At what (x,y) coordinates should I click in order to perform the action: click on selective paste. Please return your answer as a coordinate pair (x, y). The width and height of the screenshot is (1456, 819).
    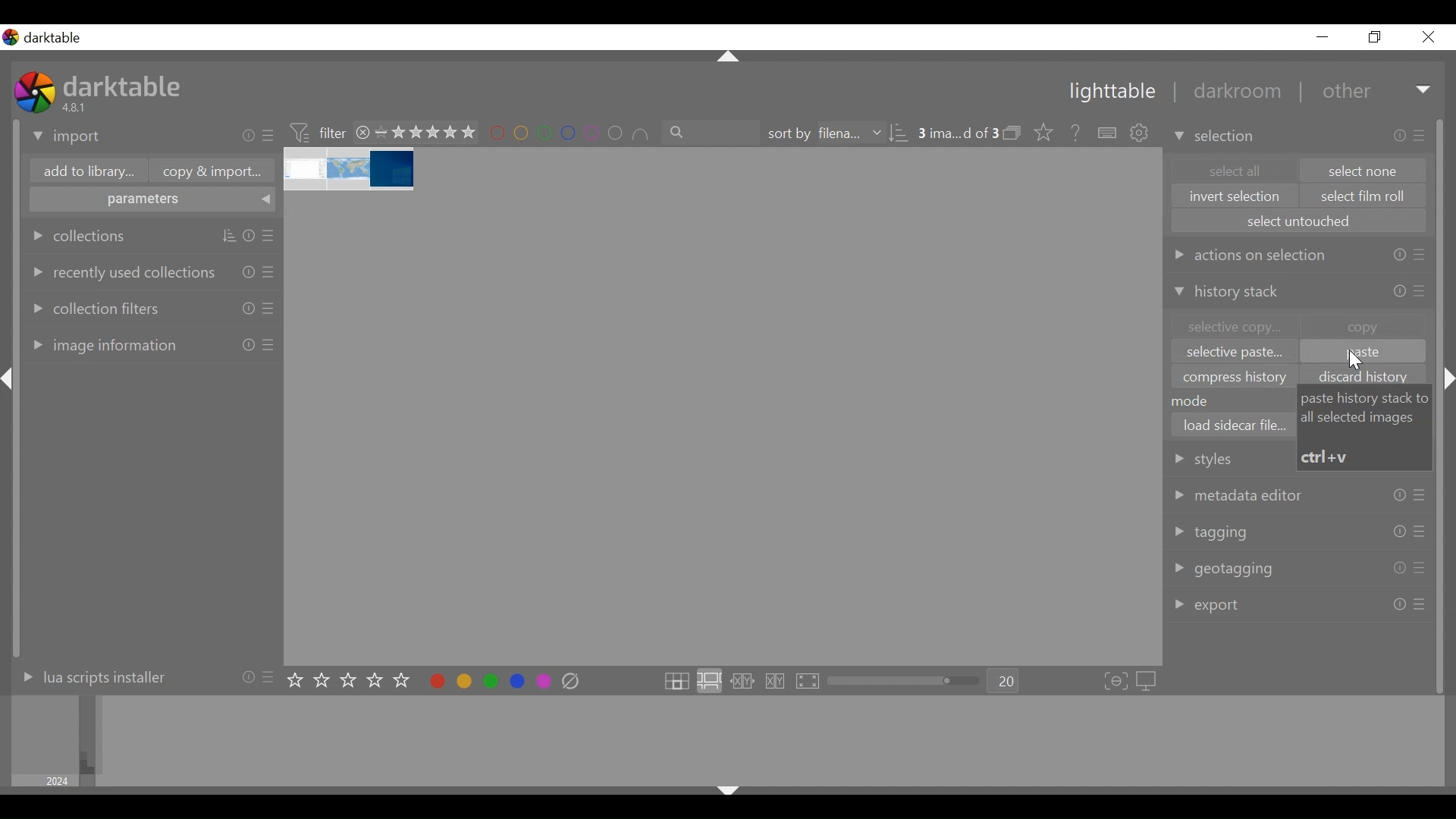
    Looking at the image, I should click on (1235, 354).